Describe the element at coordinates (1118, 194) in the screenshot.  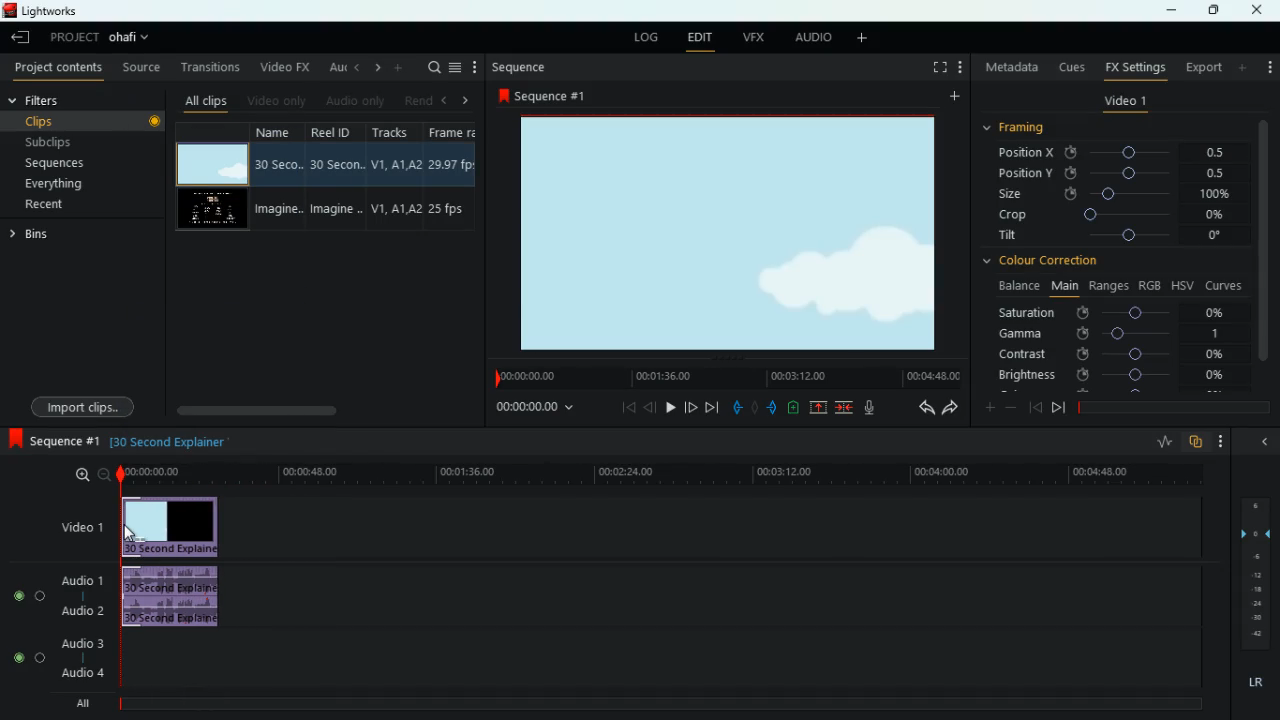
I see `size` at that location.